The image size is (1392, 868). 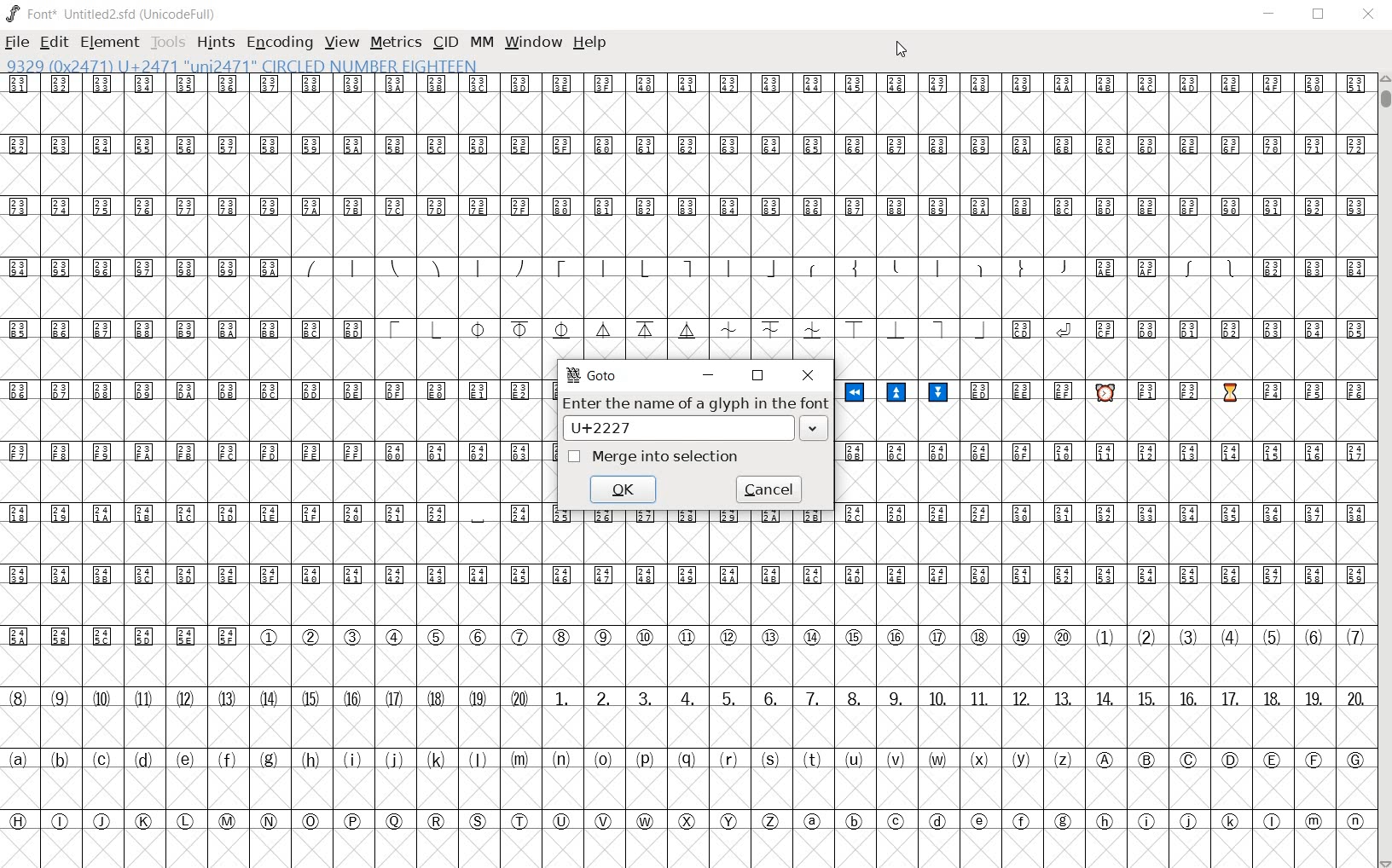 I want to click on glyph characters, so click(x=960, y=195).